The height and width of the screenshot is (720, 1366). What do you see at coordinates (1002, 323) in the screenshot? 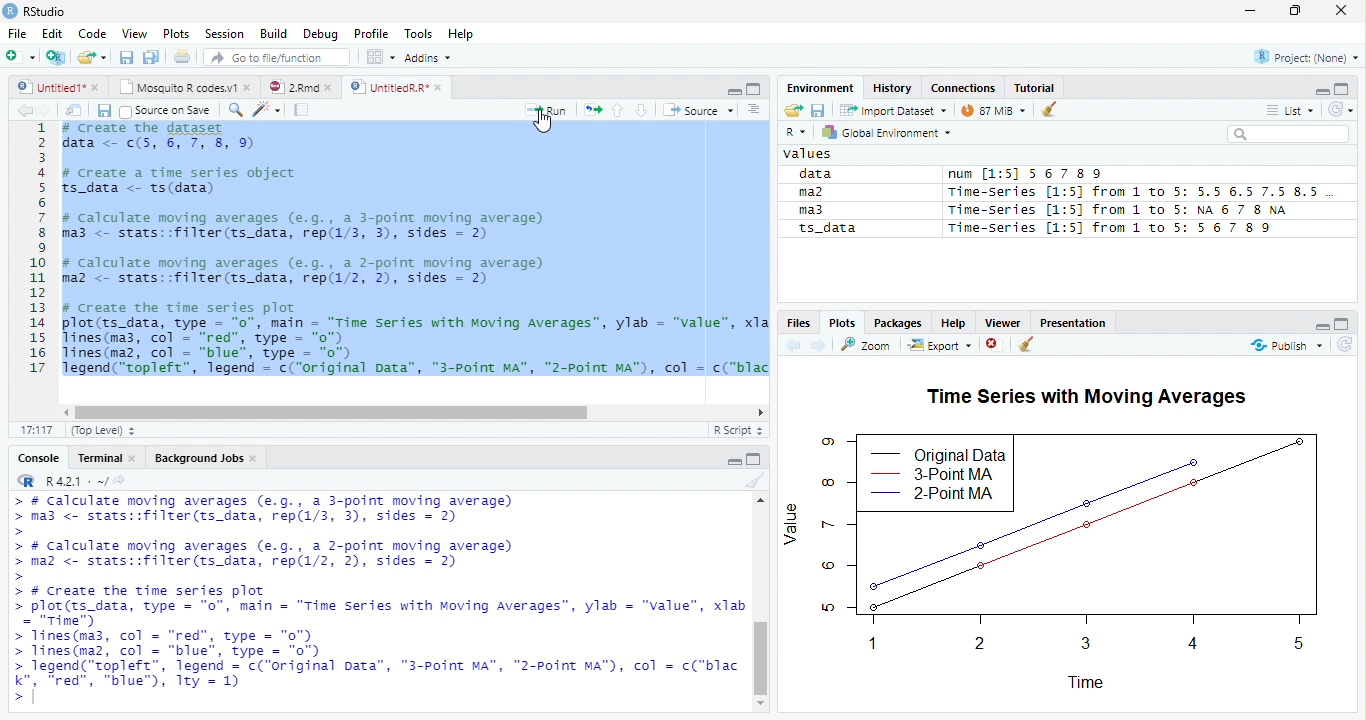
I see `Viewer` at bounding box center [1002, 323].